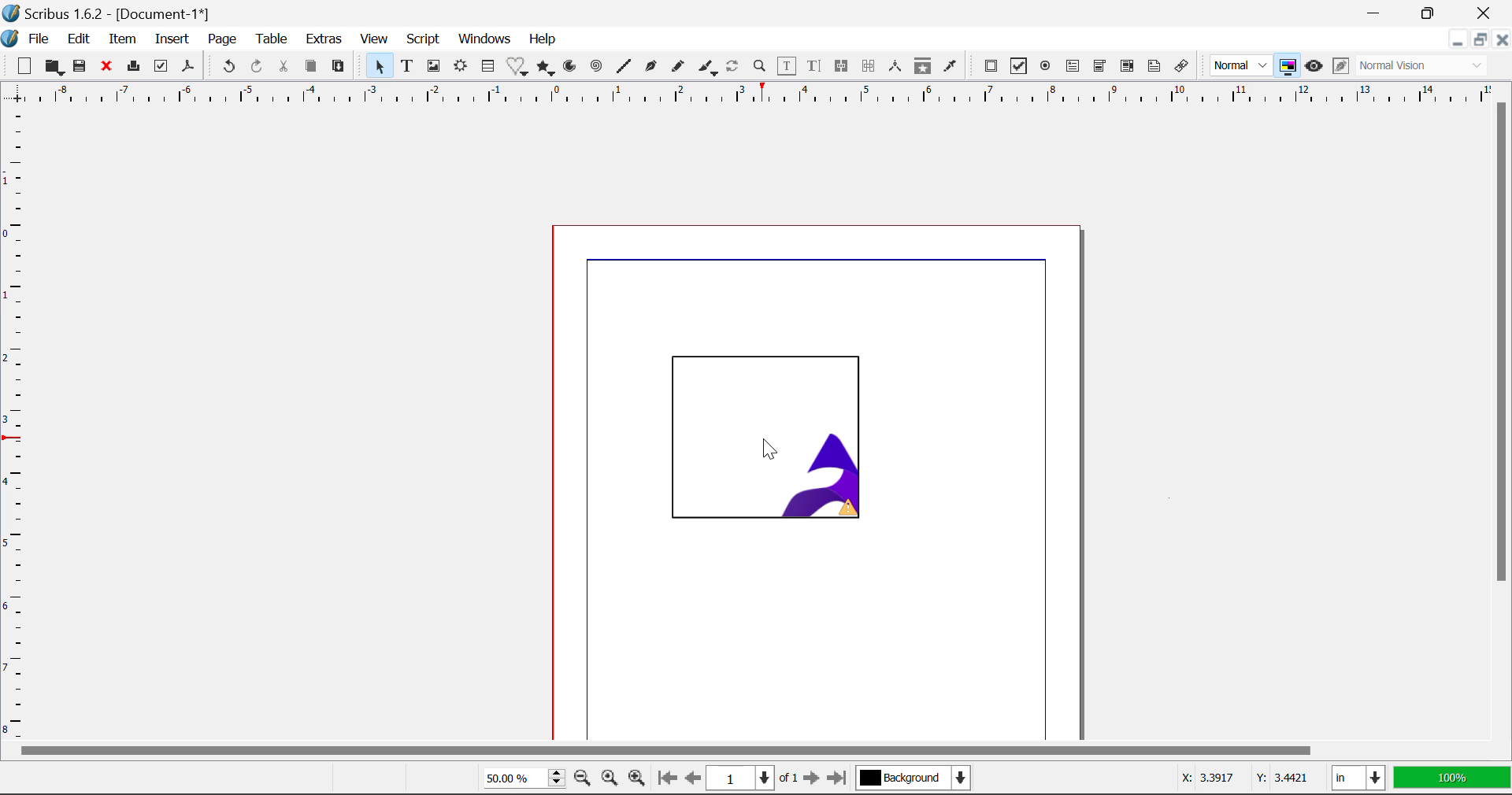 The width and height of the screenshot is (1512, 795). Describe the element at coordinates (753, 752) in the screenshot. I see `Horizontal Scroll Bar` at that location.